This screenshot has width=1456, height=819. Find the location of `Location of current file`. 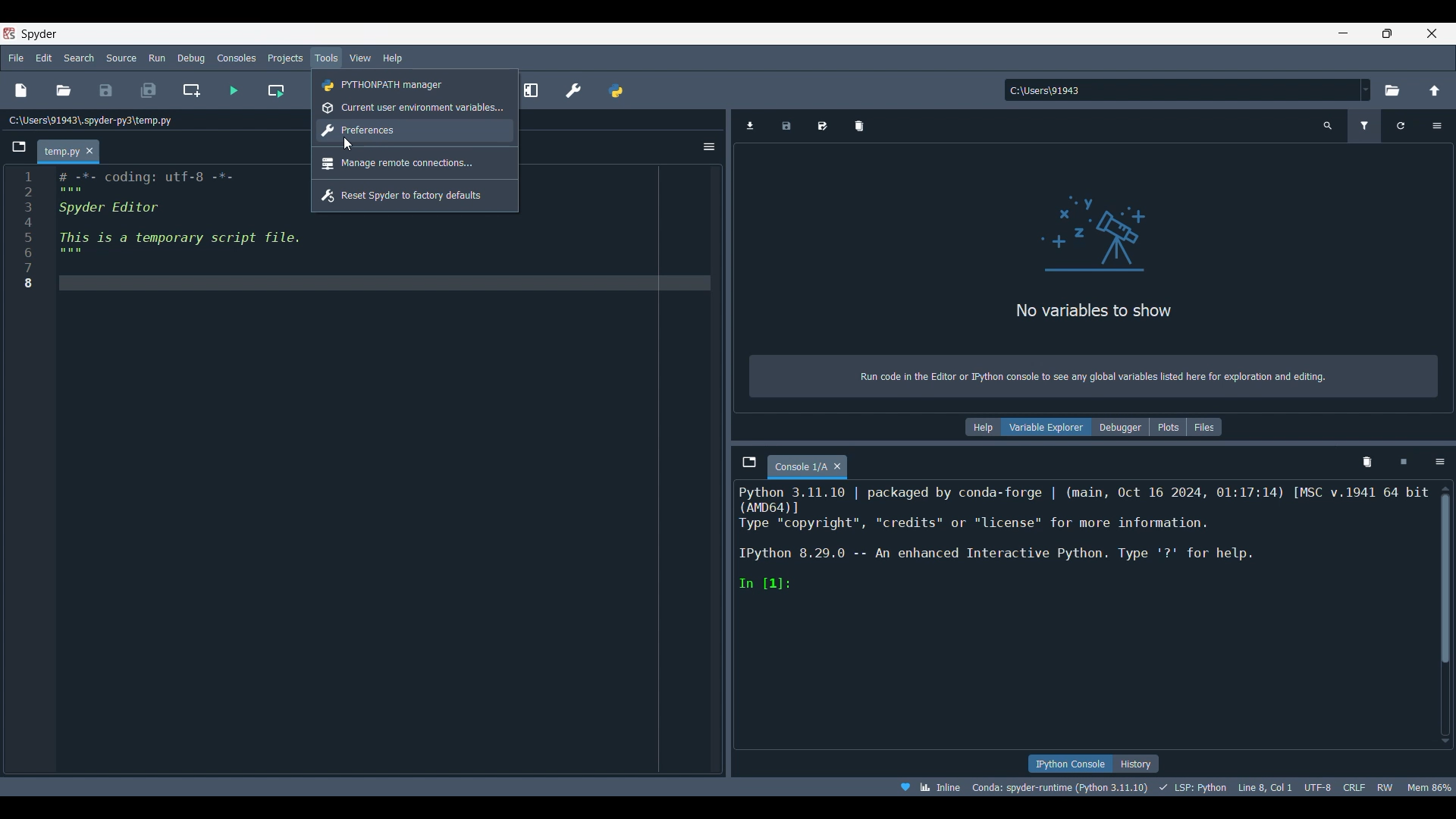

Location of current file is located at coordinates (91, 121).